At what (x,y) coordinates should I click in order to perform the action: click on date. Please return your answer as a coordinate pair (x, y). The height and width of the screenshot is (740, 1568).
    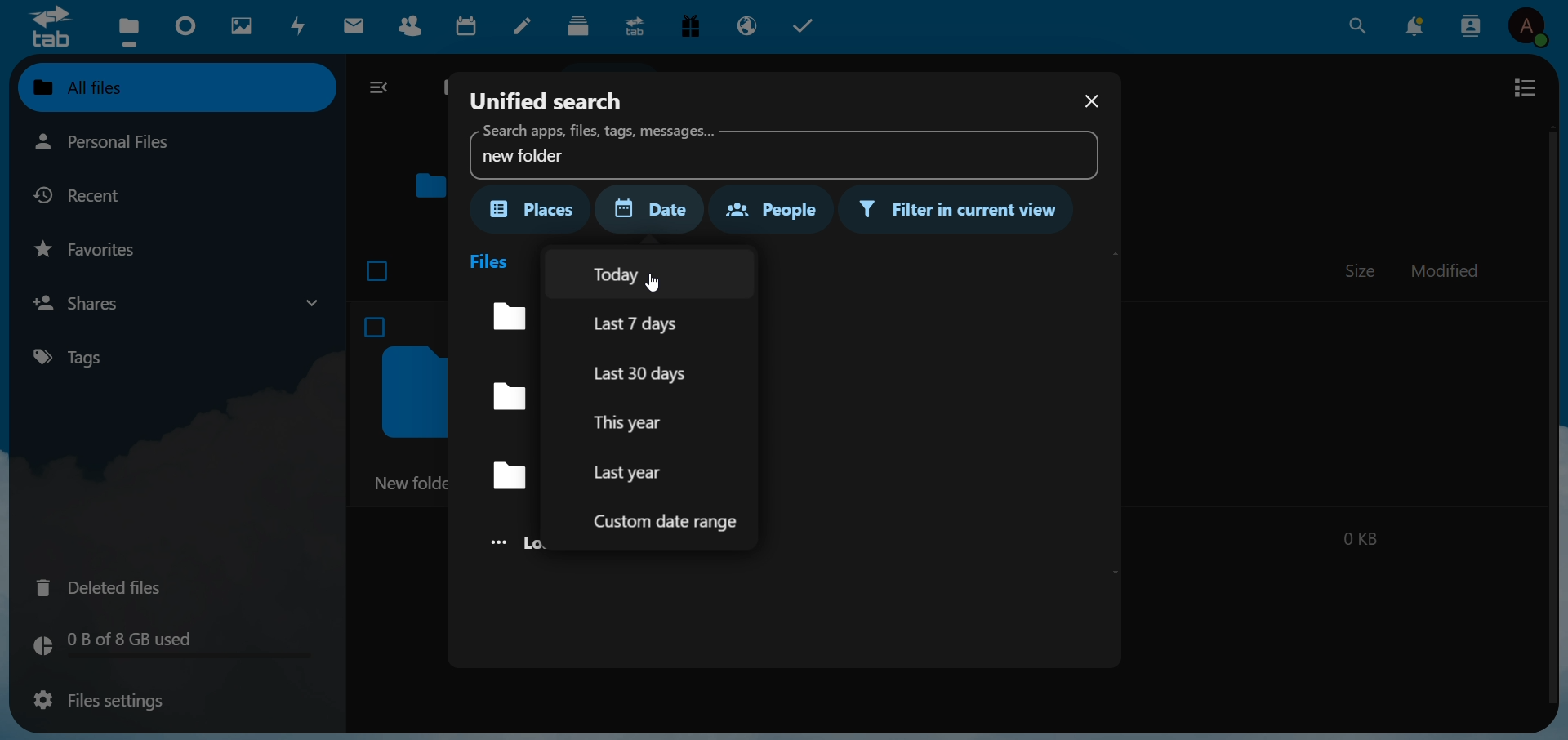
    Looking at the image, I should click on (658, 209).